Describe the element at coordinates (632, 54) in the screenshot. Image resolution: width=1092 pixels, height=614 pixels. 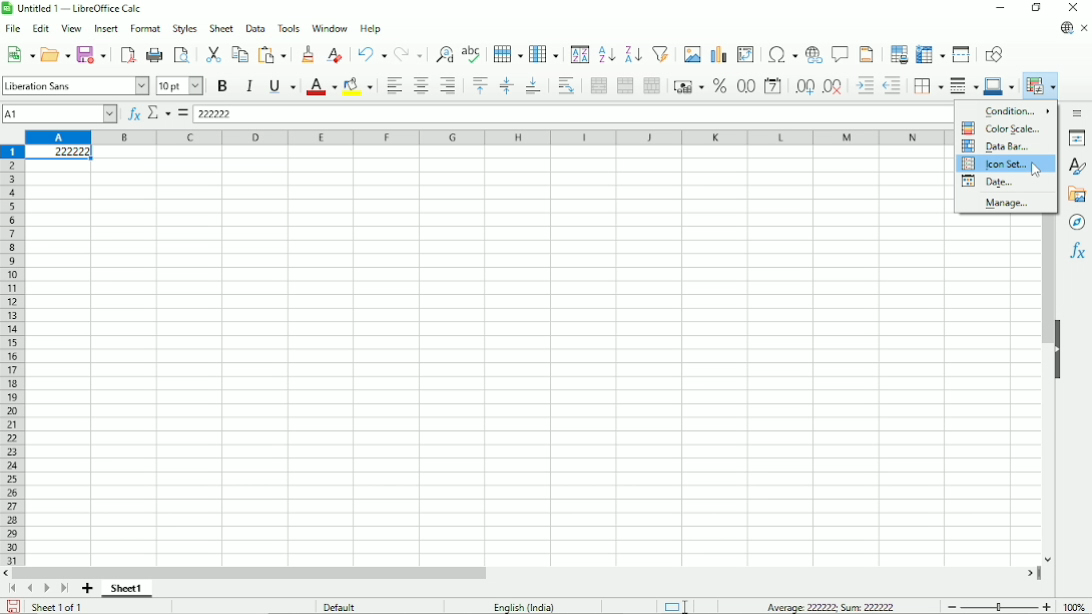
I see `Sort descending` at that location.